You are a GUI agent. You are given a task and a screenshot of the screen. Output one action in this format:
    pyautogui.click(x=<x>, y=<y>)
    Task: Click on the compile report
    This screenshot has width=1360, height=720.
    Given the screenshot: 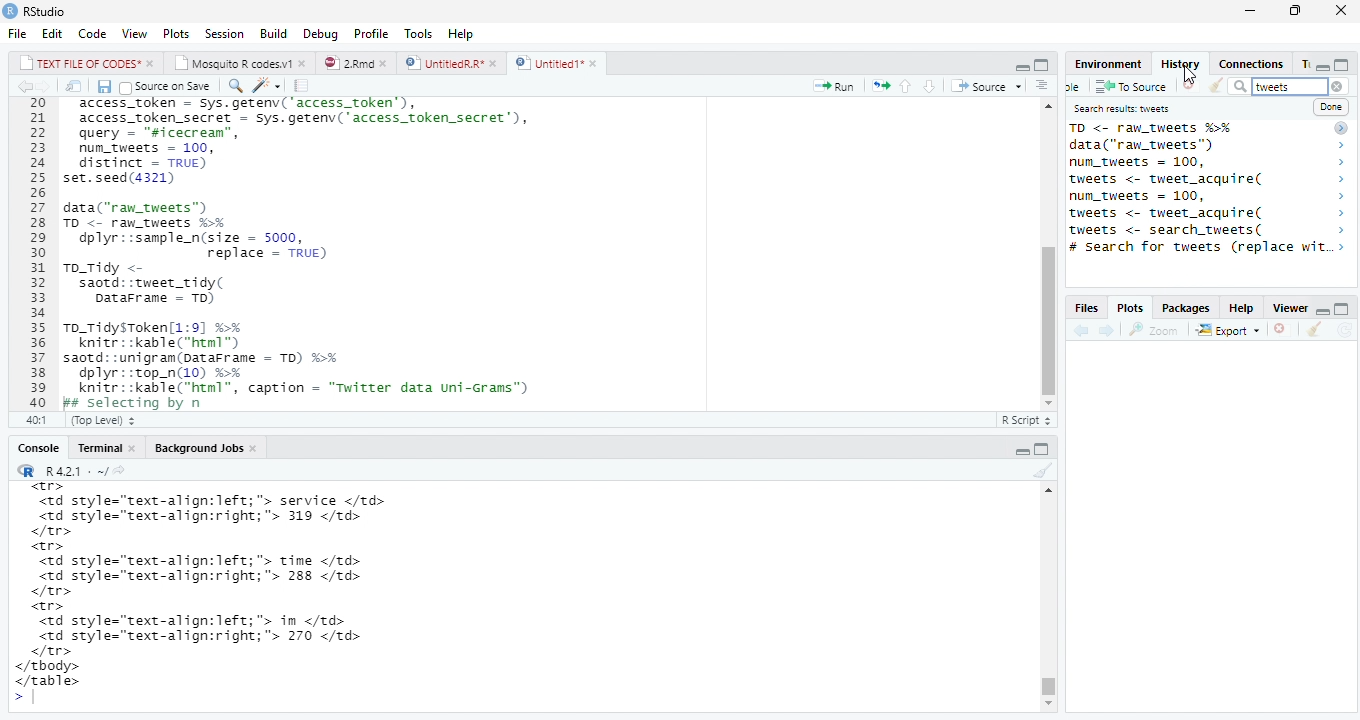 What is the action you would take?
    pyautogui.click(x=301, y=85)
    